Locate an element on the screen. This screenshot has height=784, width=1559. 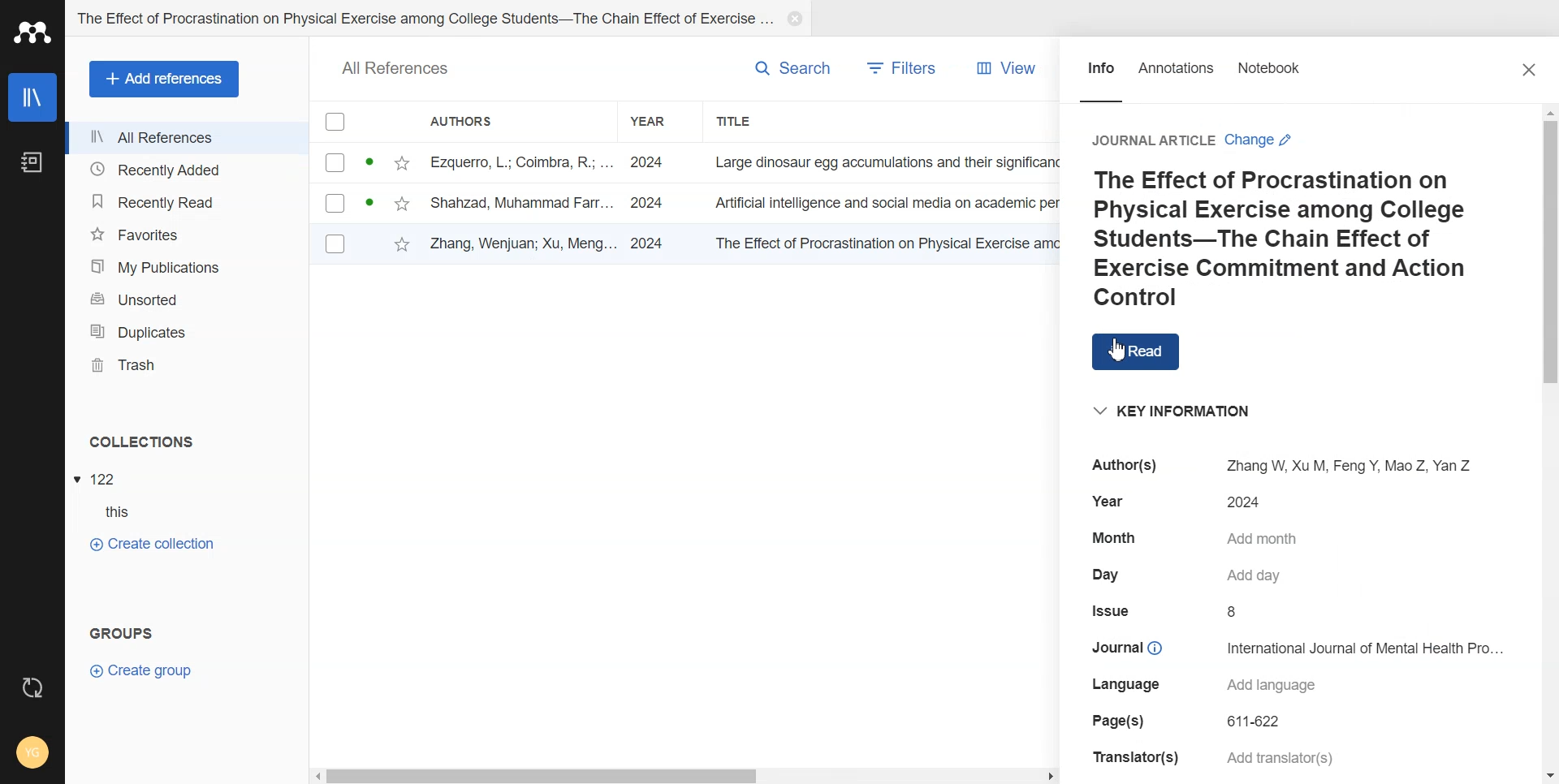
text is located at coordinates (879, 160).